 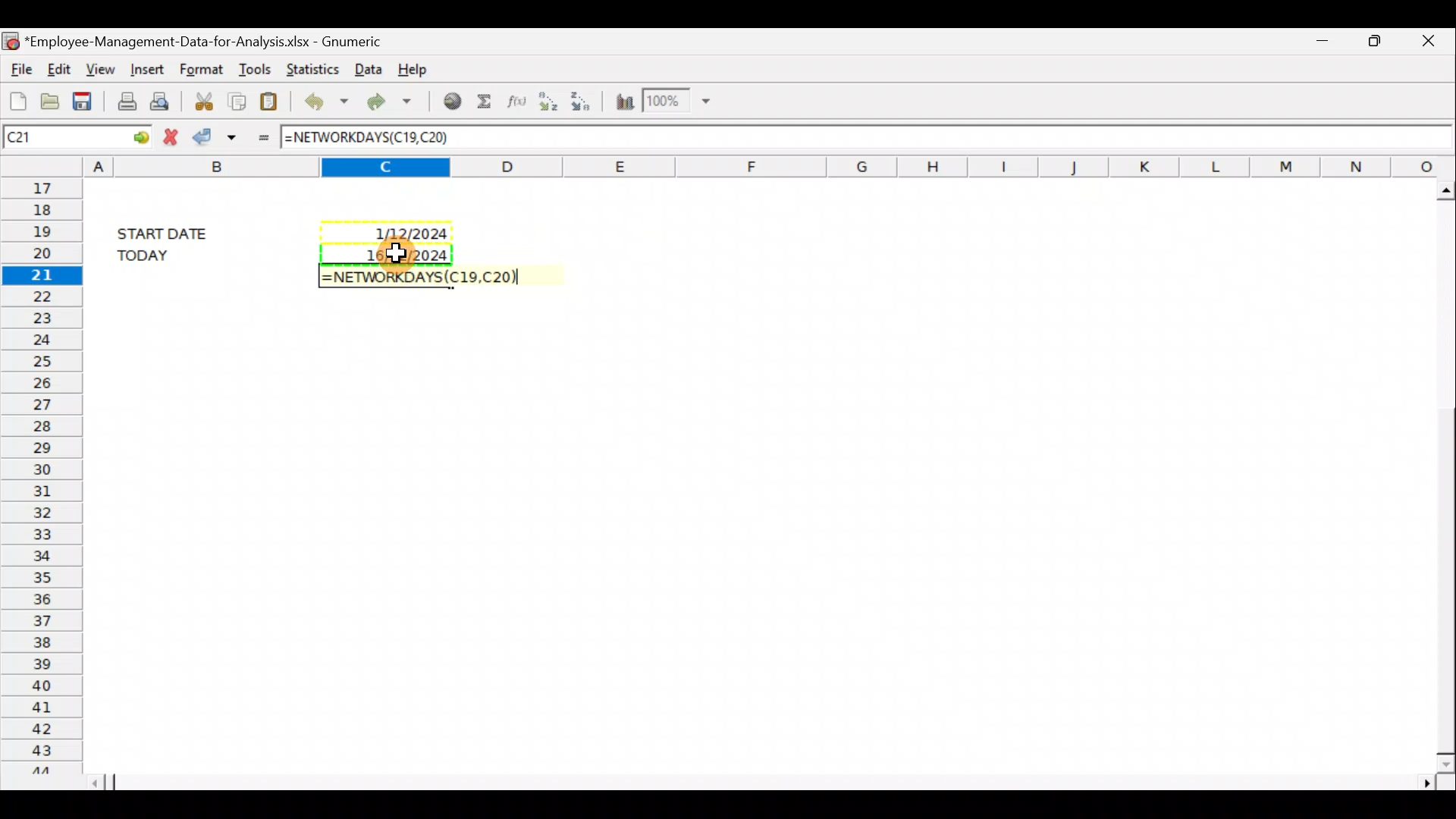 What do you see at coordinates (61, 69) in the screenshot?
I see `Edit` at bounding box center [61, 69].